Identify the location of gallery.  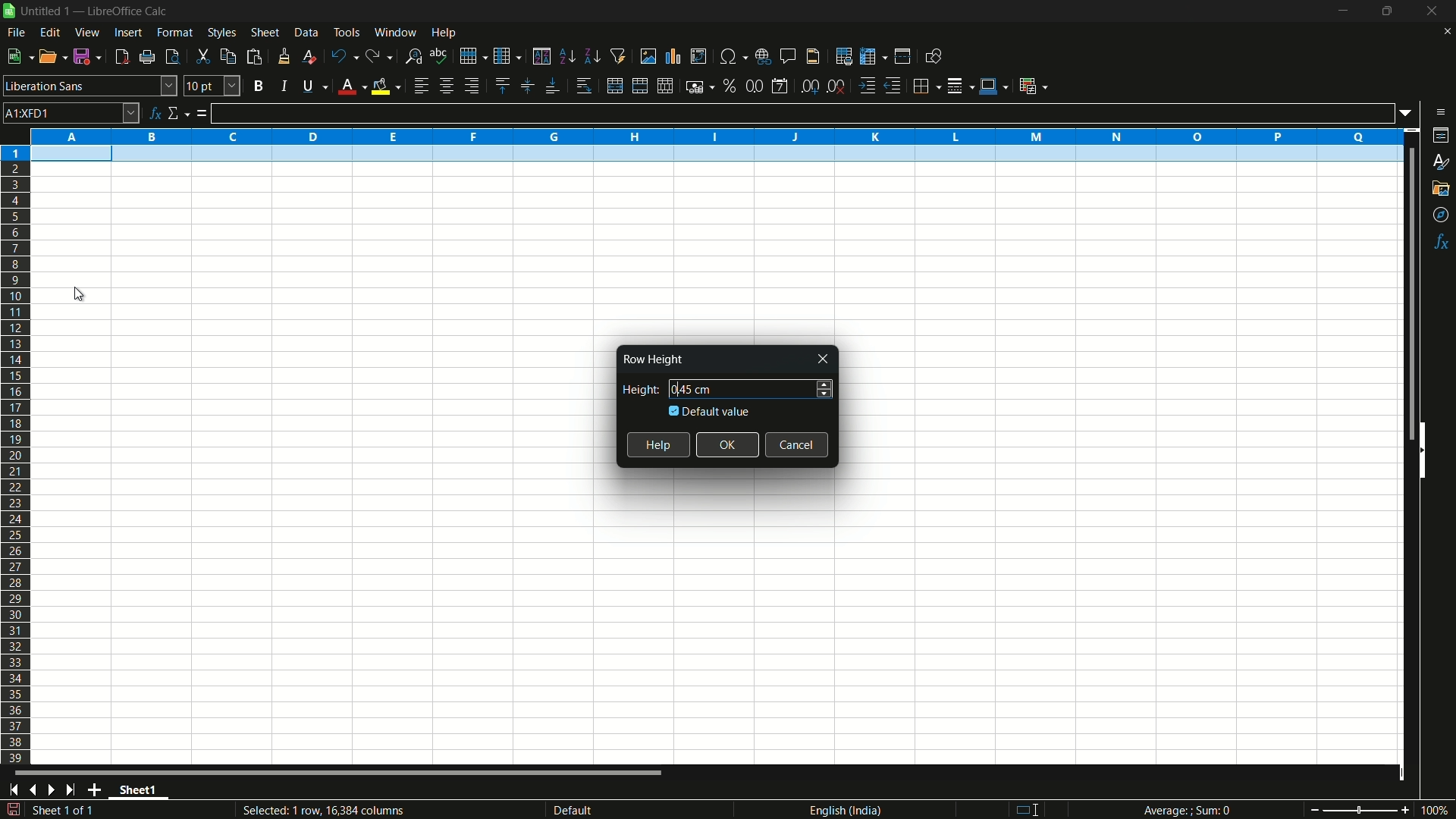
(1442, 188).